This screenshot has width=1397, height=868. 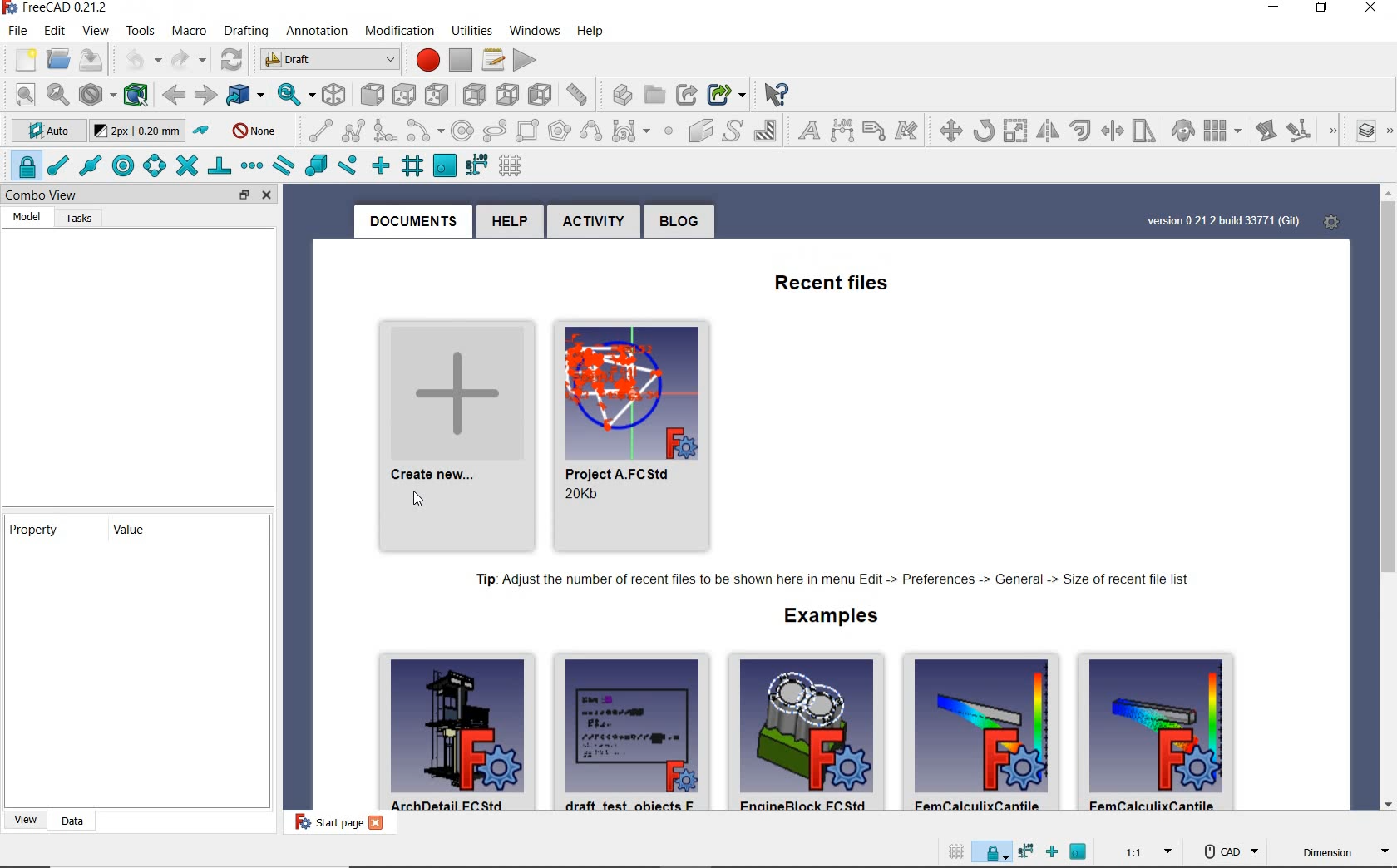 I want to click on snap midpoint, so click(x=91, y=165).